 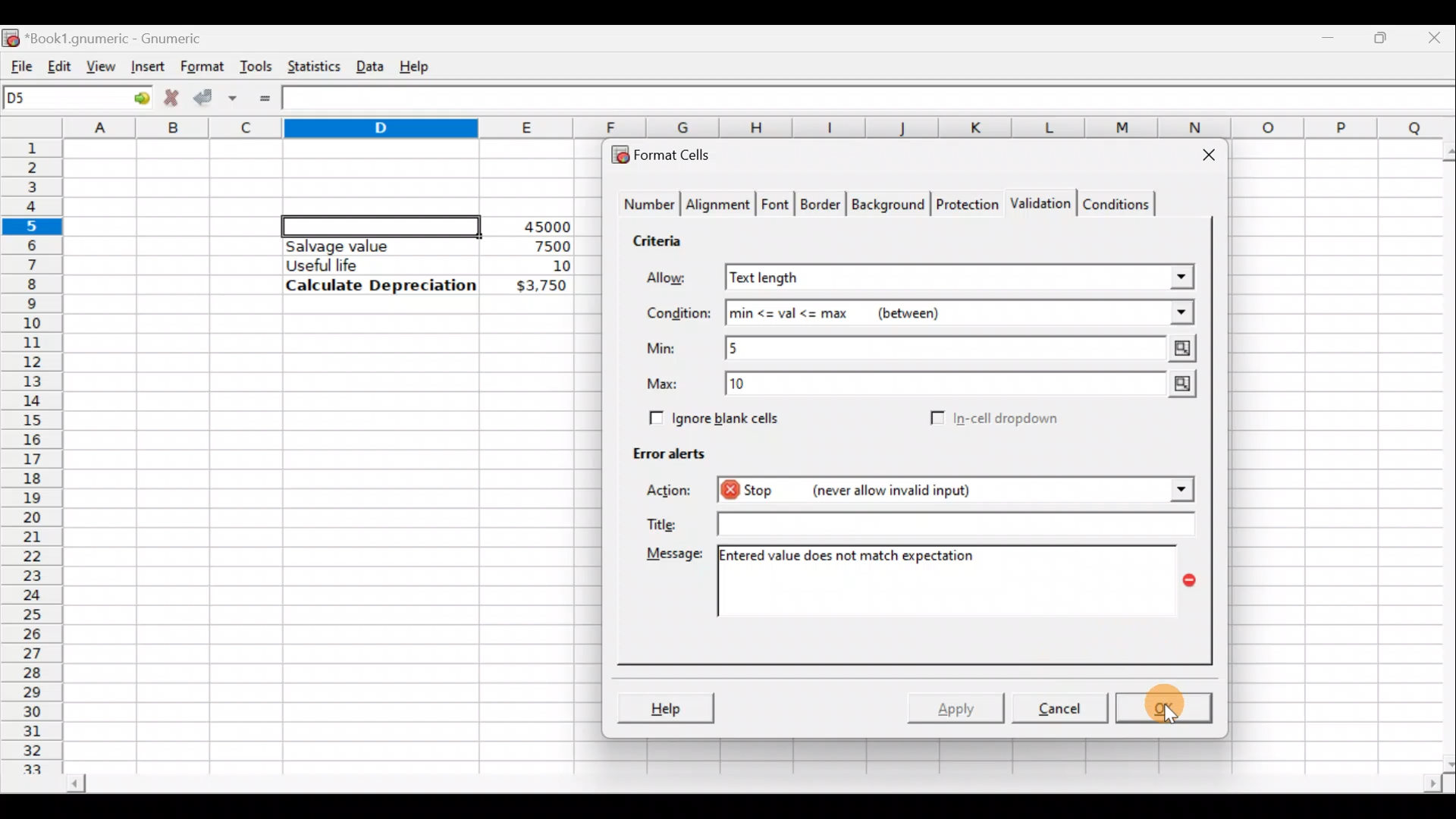 What do you see at coordinates (965, 387) in the screenshot?
I see `Max value = 10` at bounding box center [965, 387].